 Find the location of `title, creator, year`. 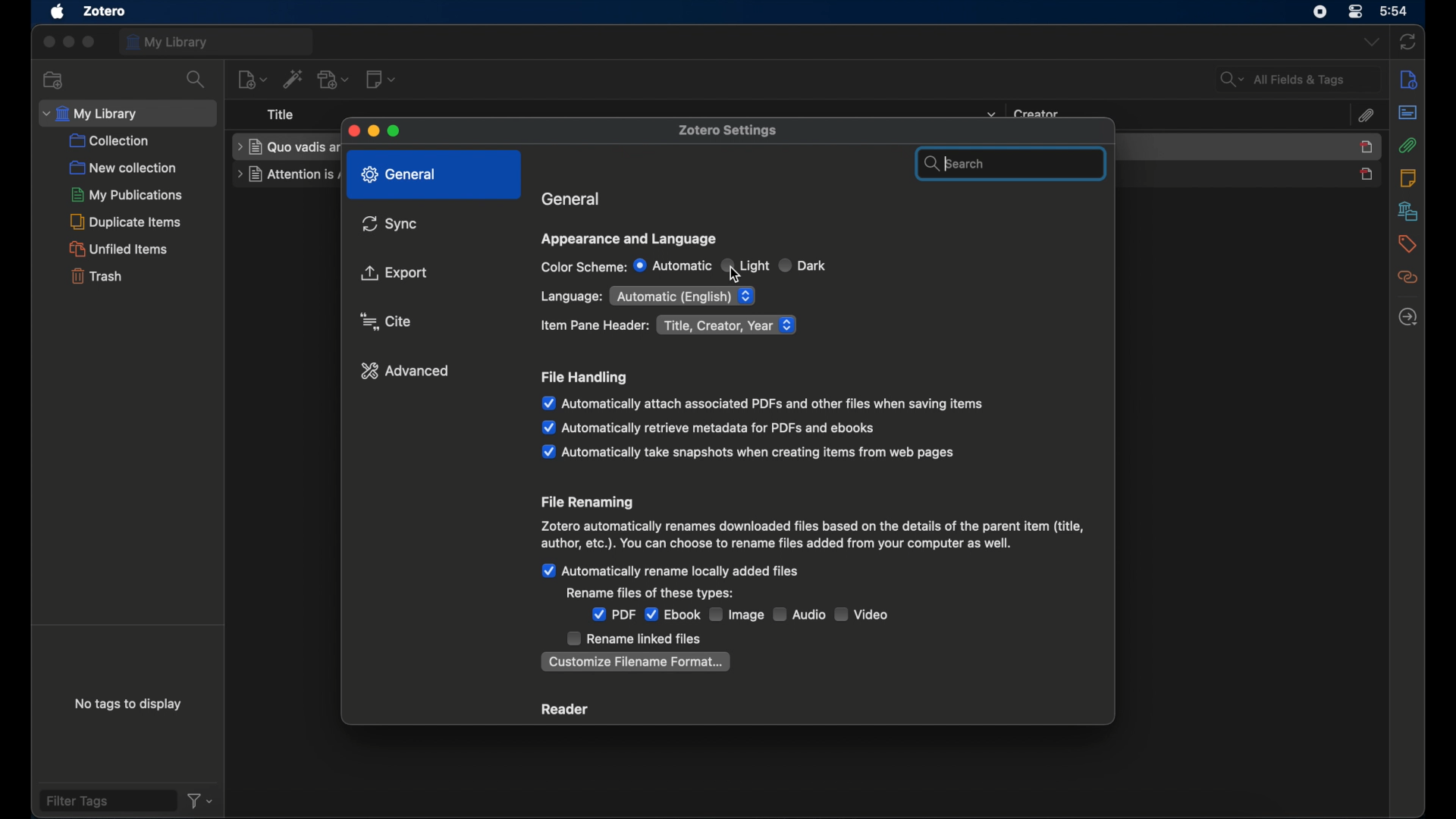

title, creator, year is located at coordinates (728, 325).